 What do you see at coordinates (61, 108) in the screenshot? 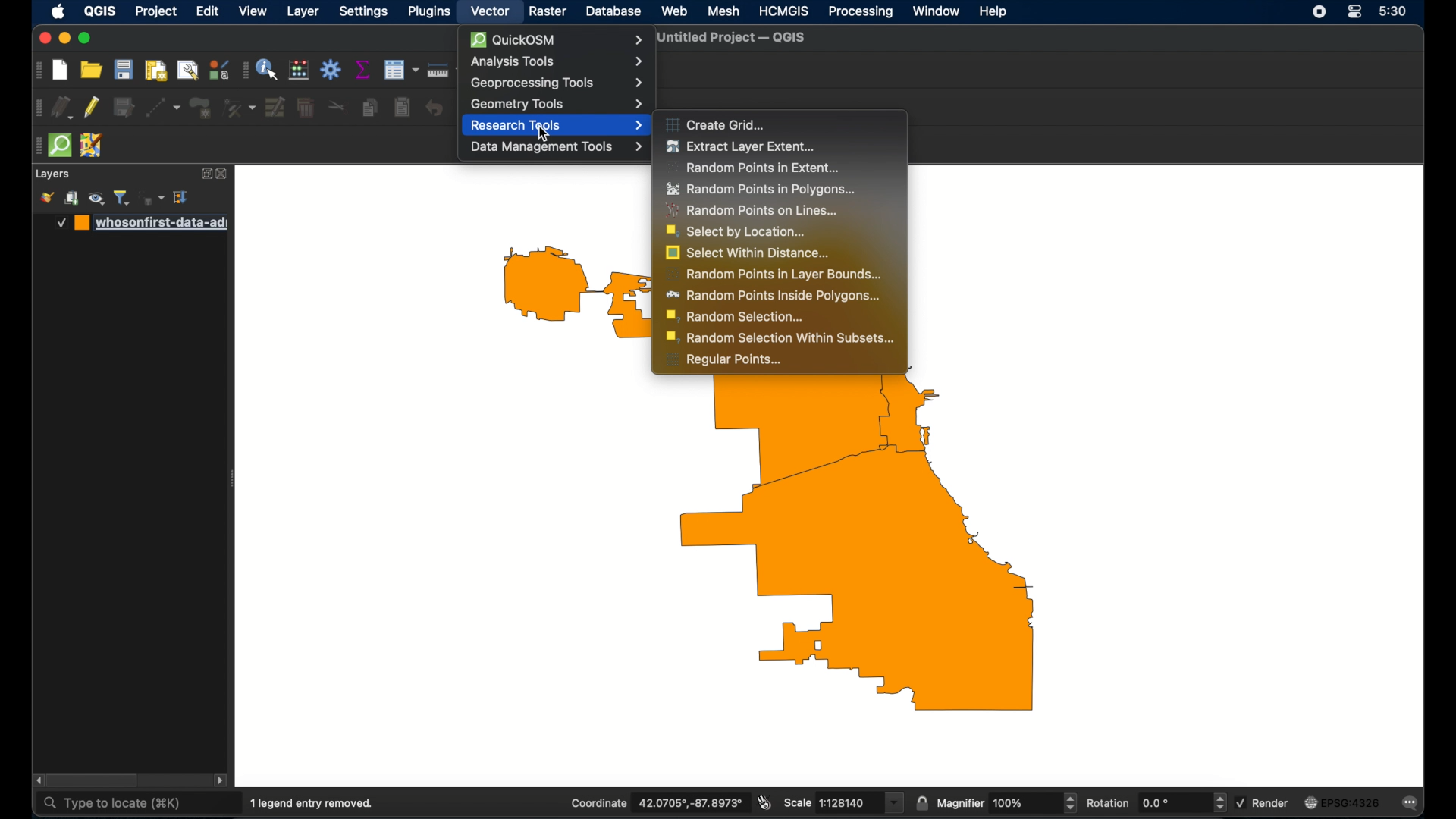
I see `current edits` at bounding box center [61, 108].